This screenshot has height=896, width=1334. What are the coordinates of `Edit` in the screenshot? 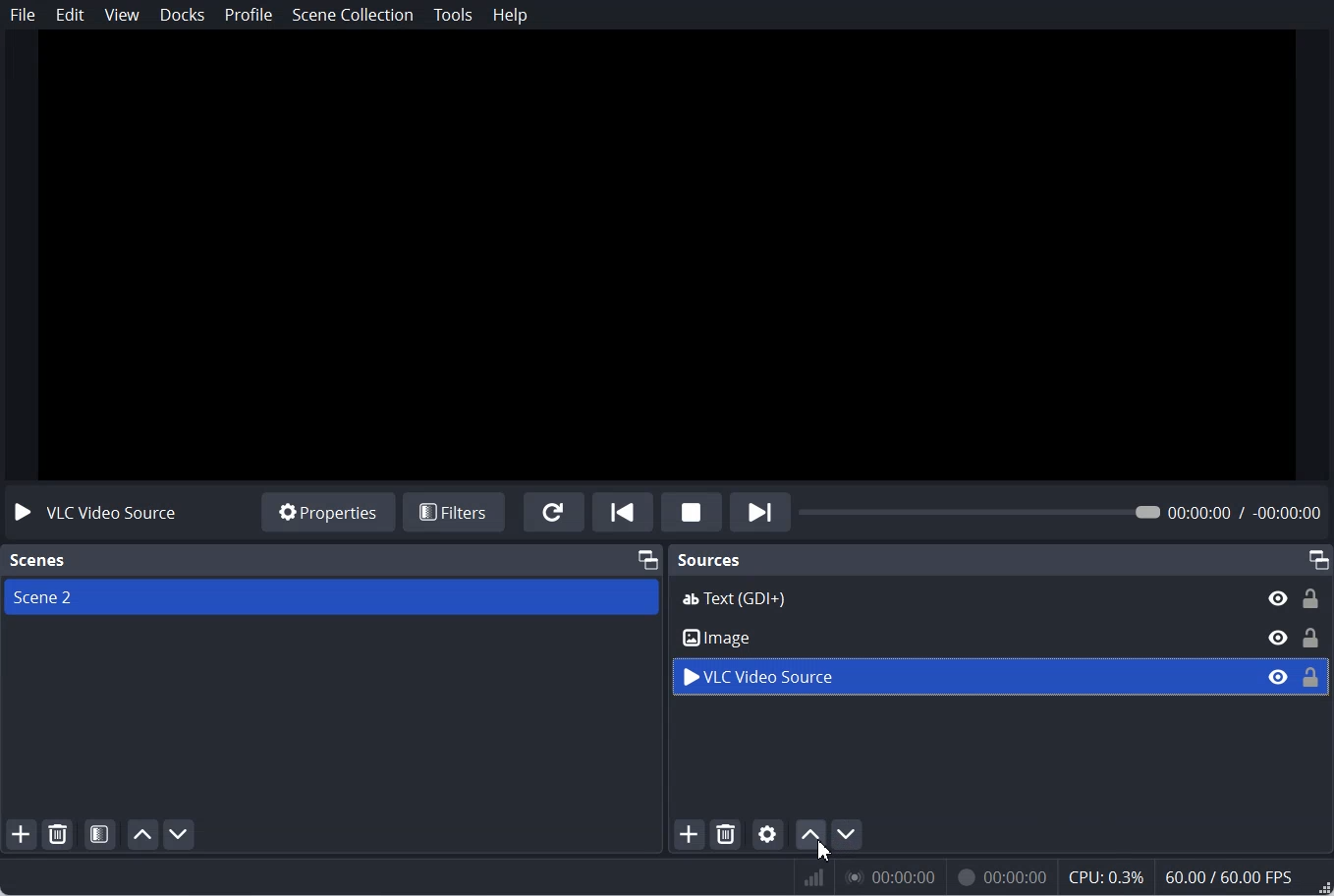 It's located at (71, 15).